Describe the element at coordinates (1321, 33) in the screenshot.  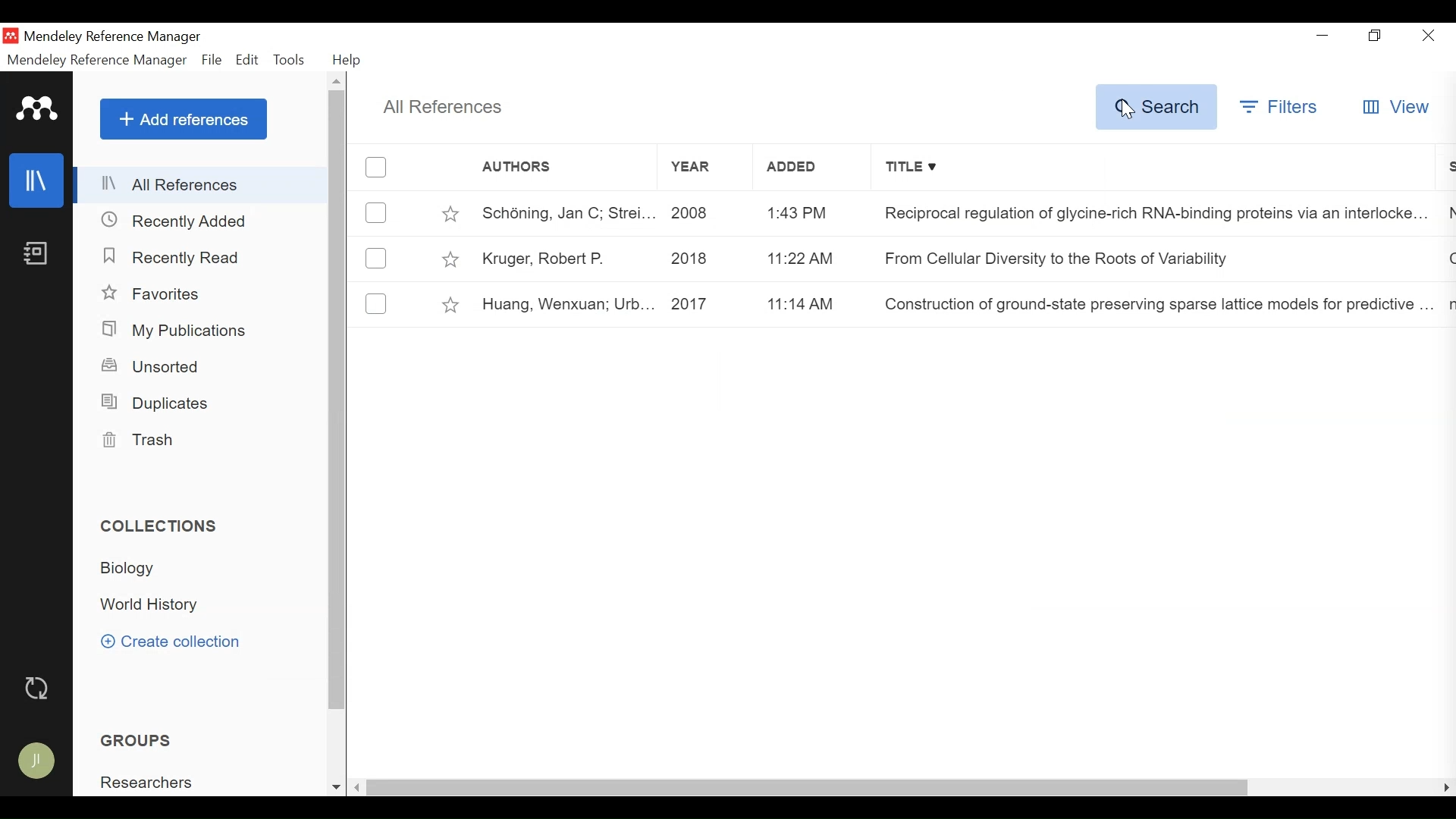
I see `minimize` at that location.